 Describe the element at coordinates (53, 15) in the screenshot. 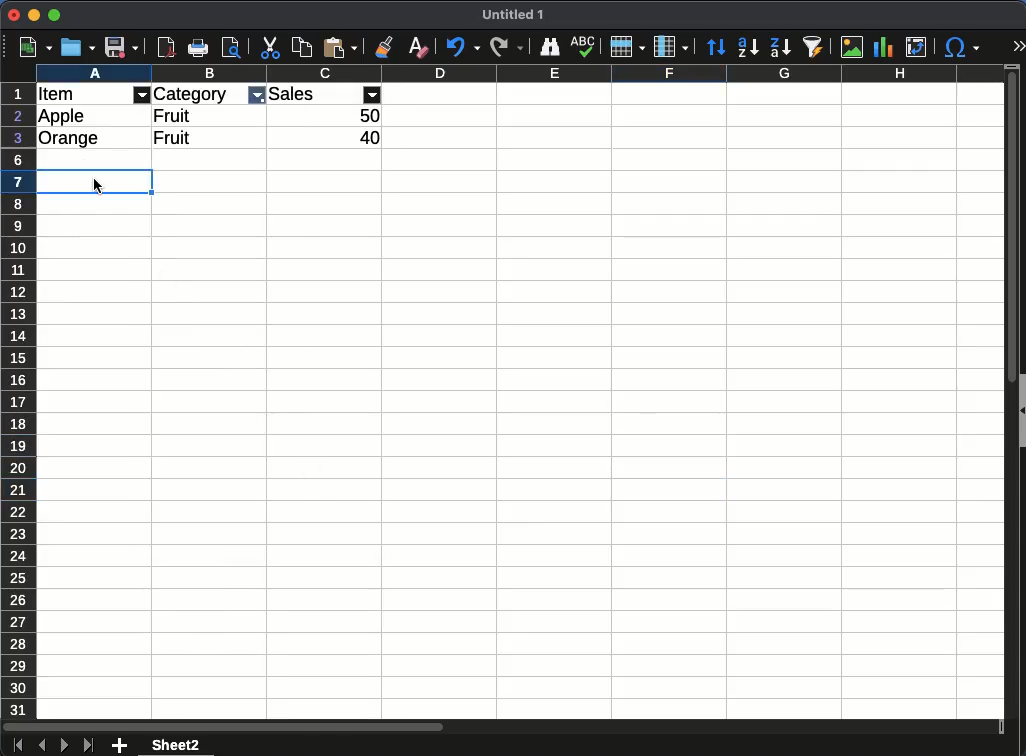

I see `maximize` at that location.